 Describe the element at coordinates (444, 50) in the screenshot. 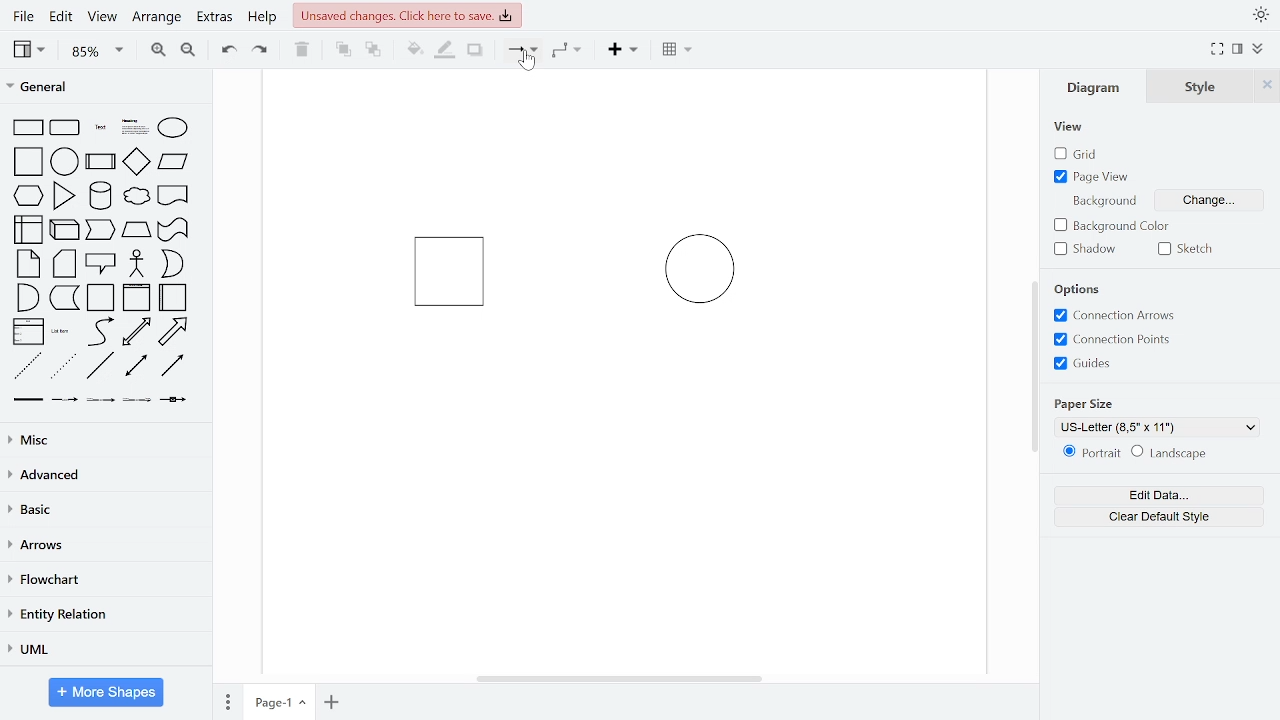

I see `fill line` at that location.